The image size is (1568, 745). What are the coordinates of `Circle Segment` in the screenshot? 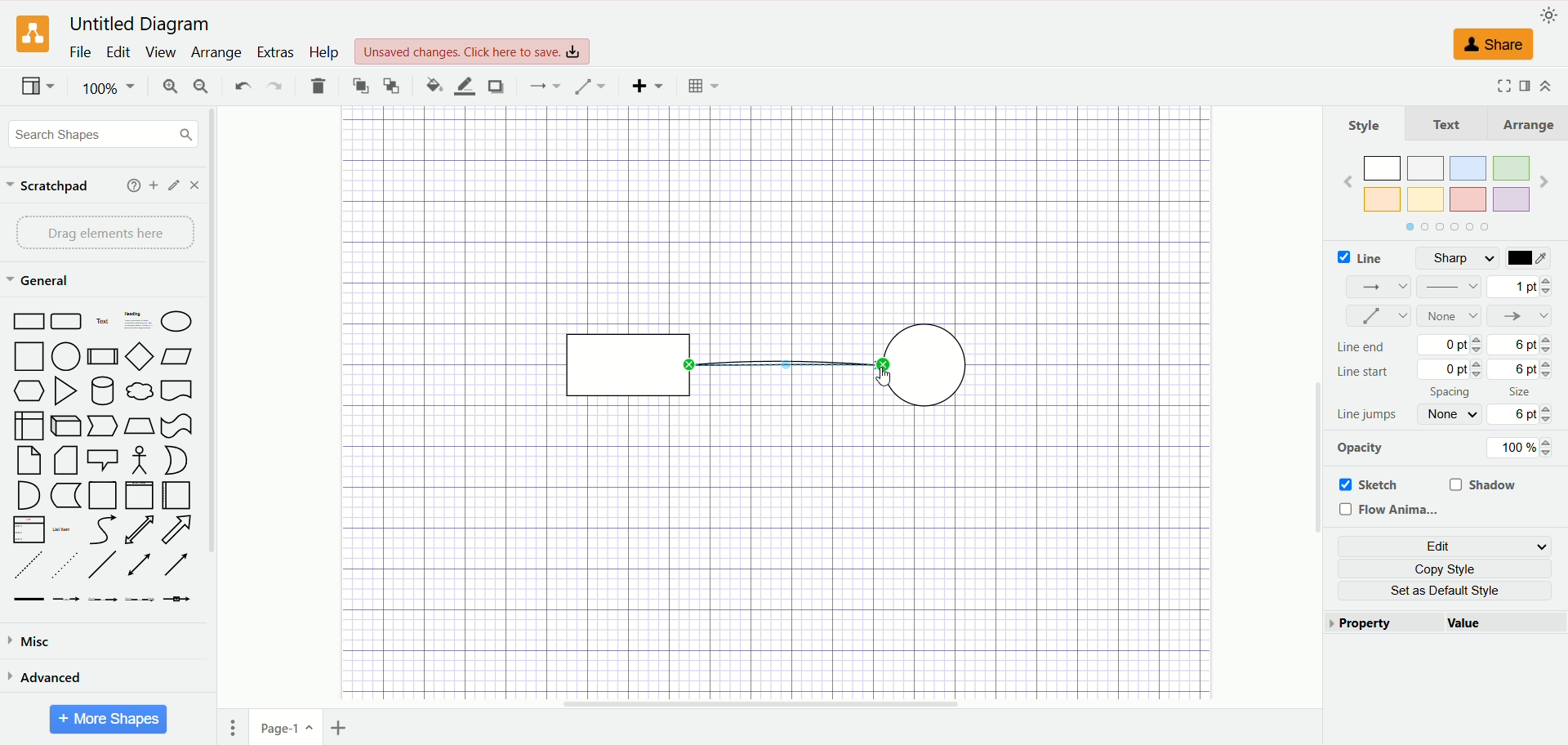 It's located at (176, 461).